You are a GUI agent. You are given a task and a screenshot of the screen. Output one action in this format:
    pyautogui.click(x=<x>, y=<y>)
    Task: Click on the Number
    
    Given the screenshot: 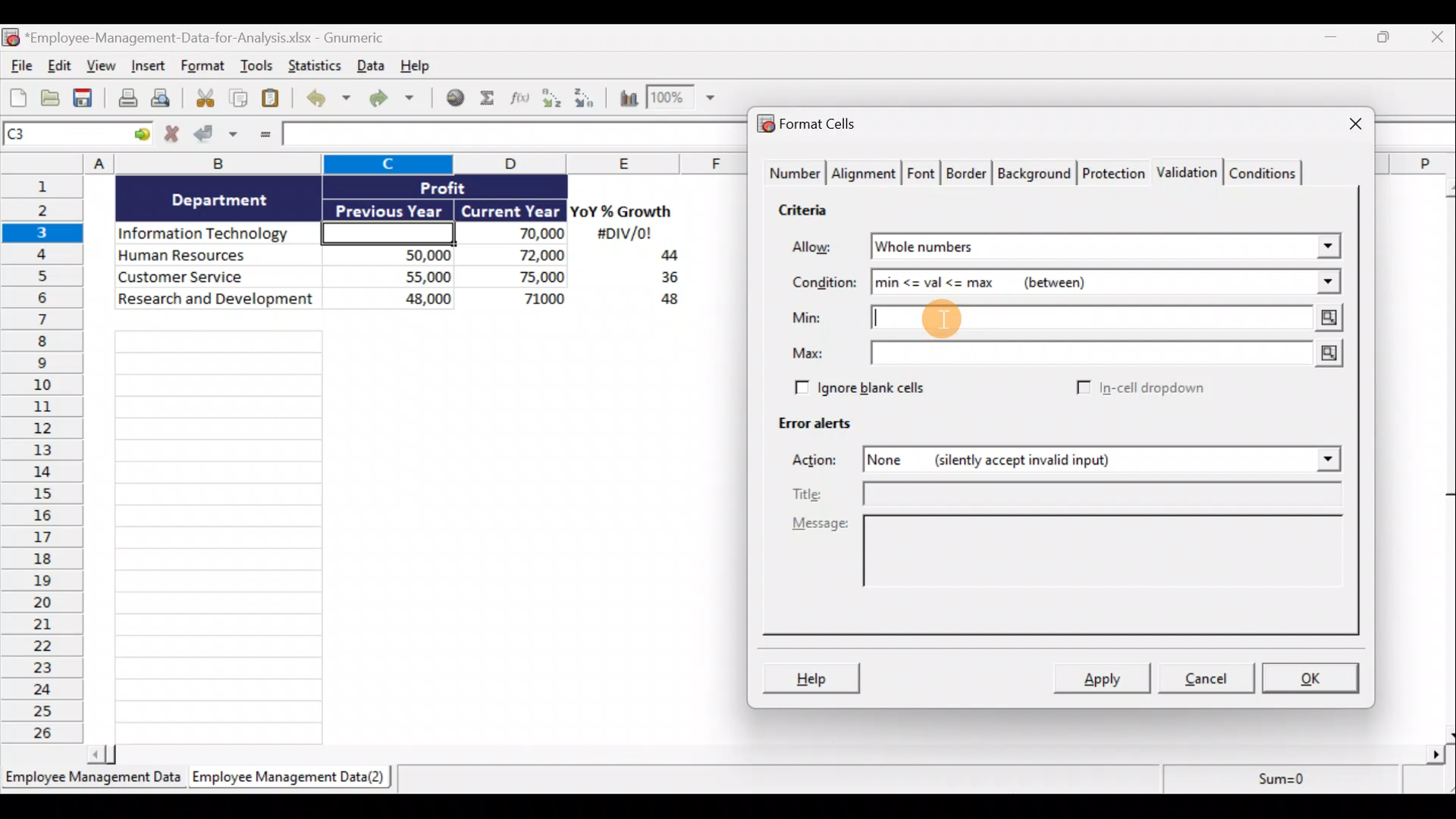 What is the action you would take?
    pyautogui.click(x=793, y=174)
    